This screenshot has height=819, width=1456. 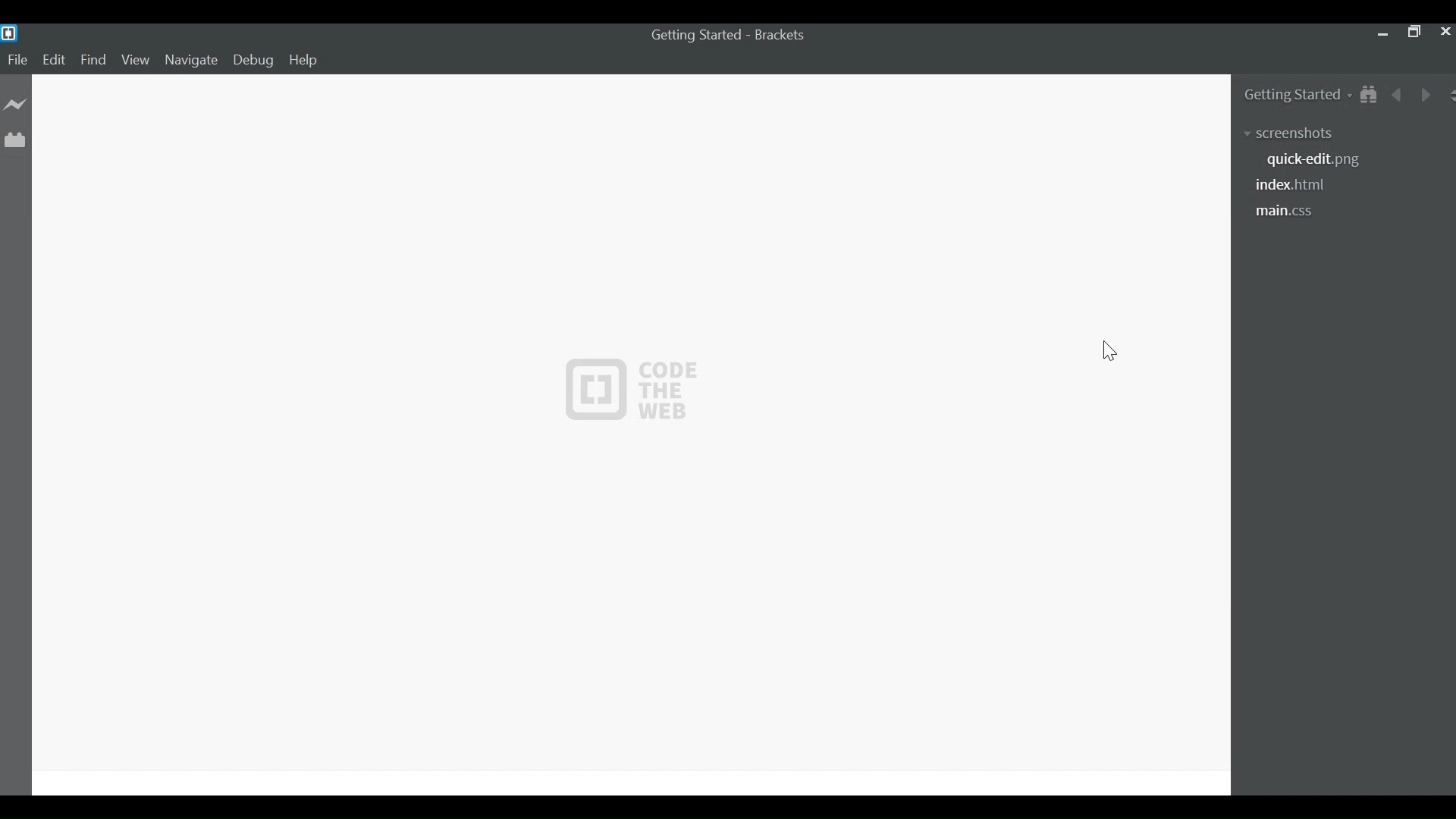 I want to click on Help, so click(x=306, y=60).